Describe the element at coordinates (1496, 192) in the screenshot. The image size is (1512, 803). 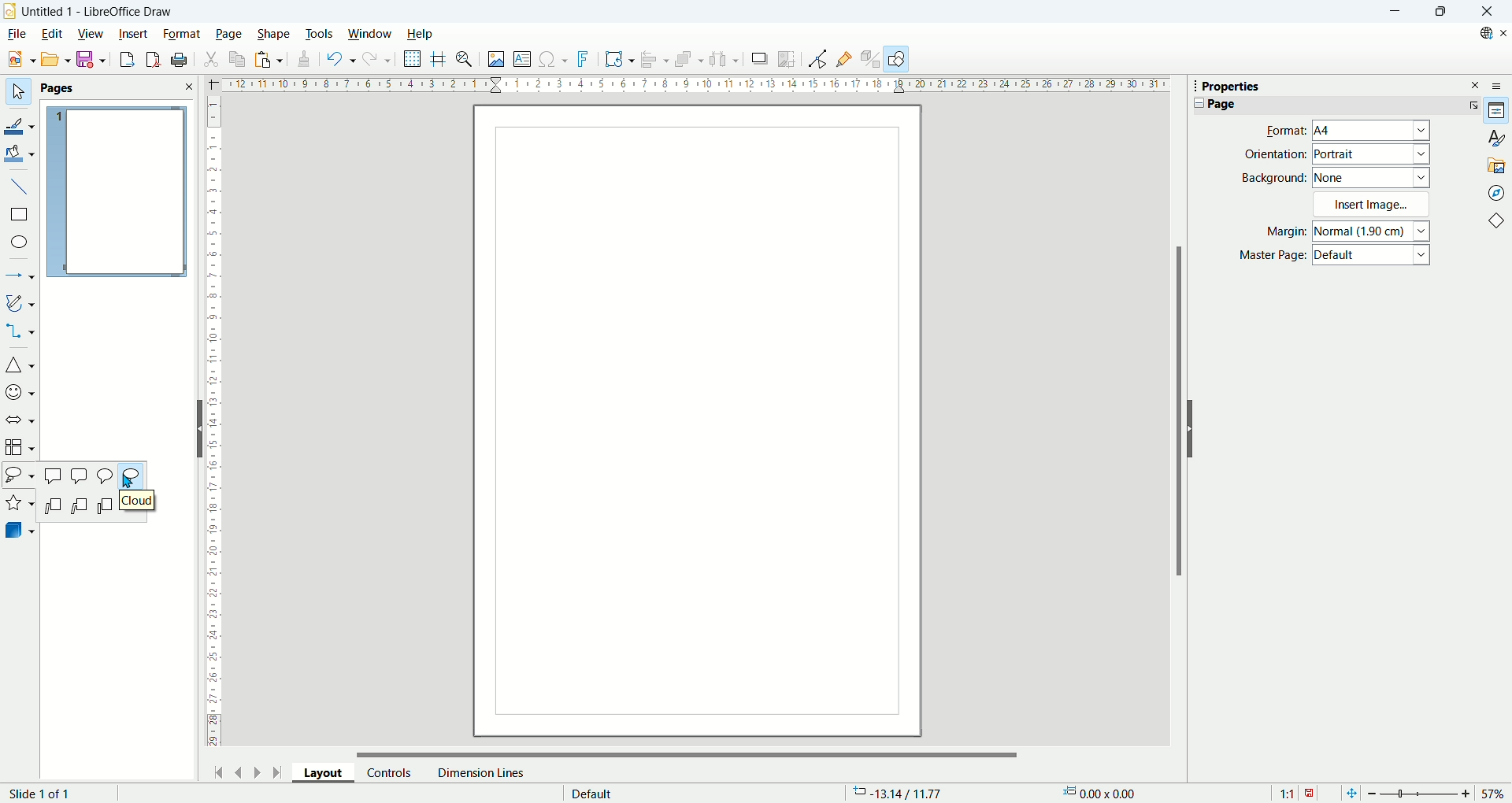
I see `Navigator` at that location.